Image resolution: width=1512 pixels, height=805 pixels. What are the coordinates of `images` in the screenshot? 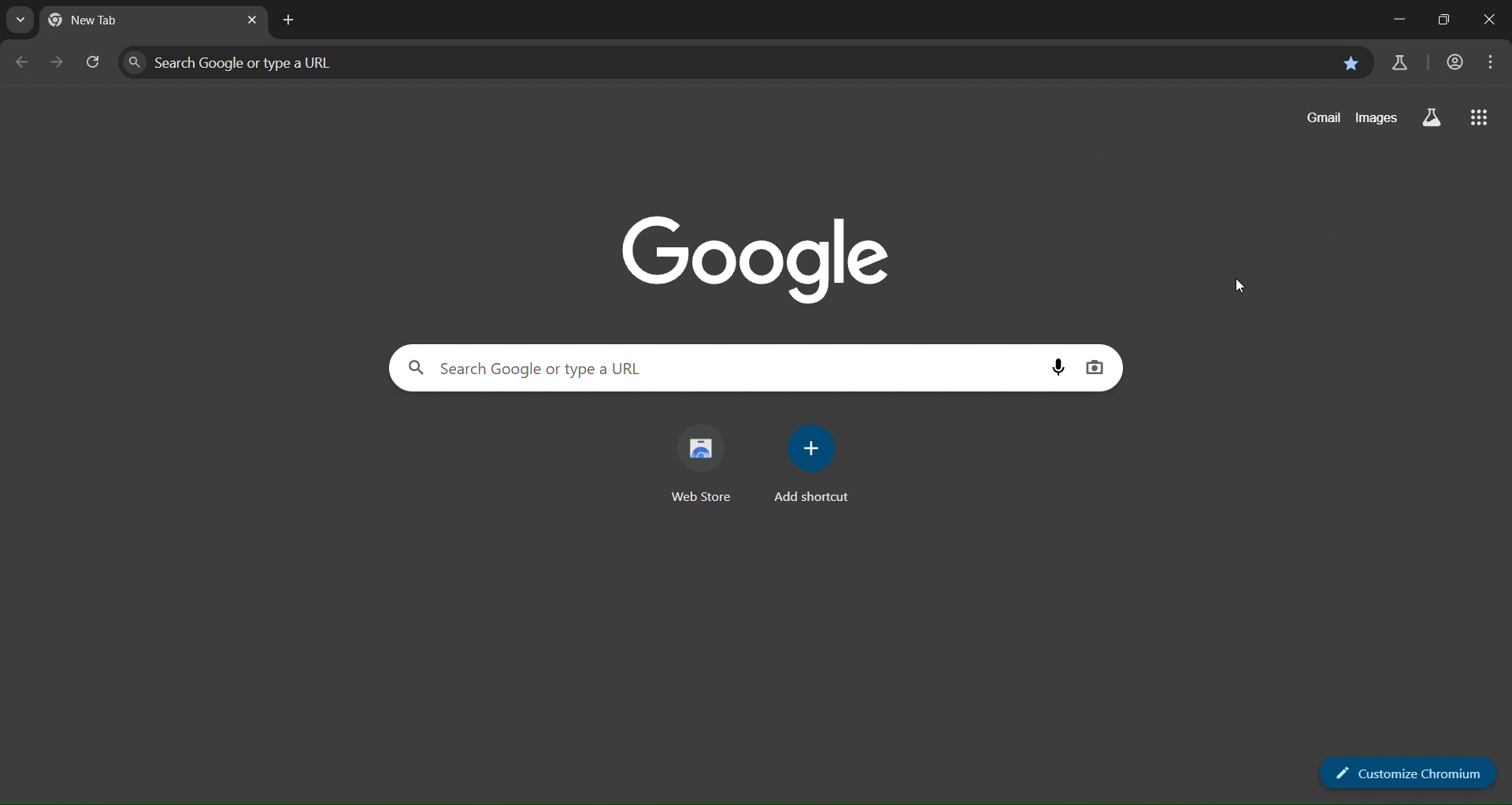 It's located at (1377, 118).